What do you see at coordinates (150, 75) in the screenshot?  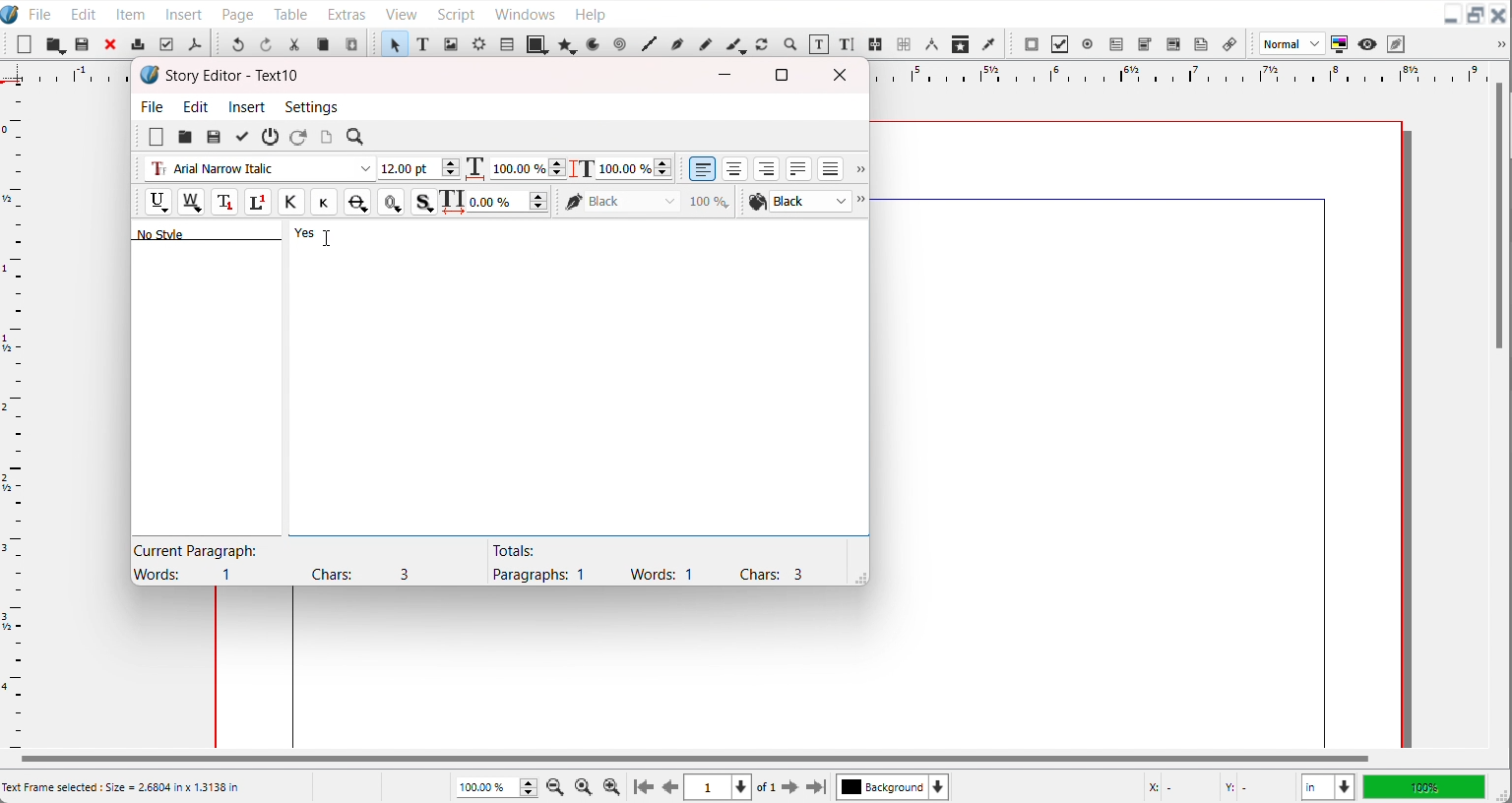 I see `Software logo` at bounding box center [150, 75].